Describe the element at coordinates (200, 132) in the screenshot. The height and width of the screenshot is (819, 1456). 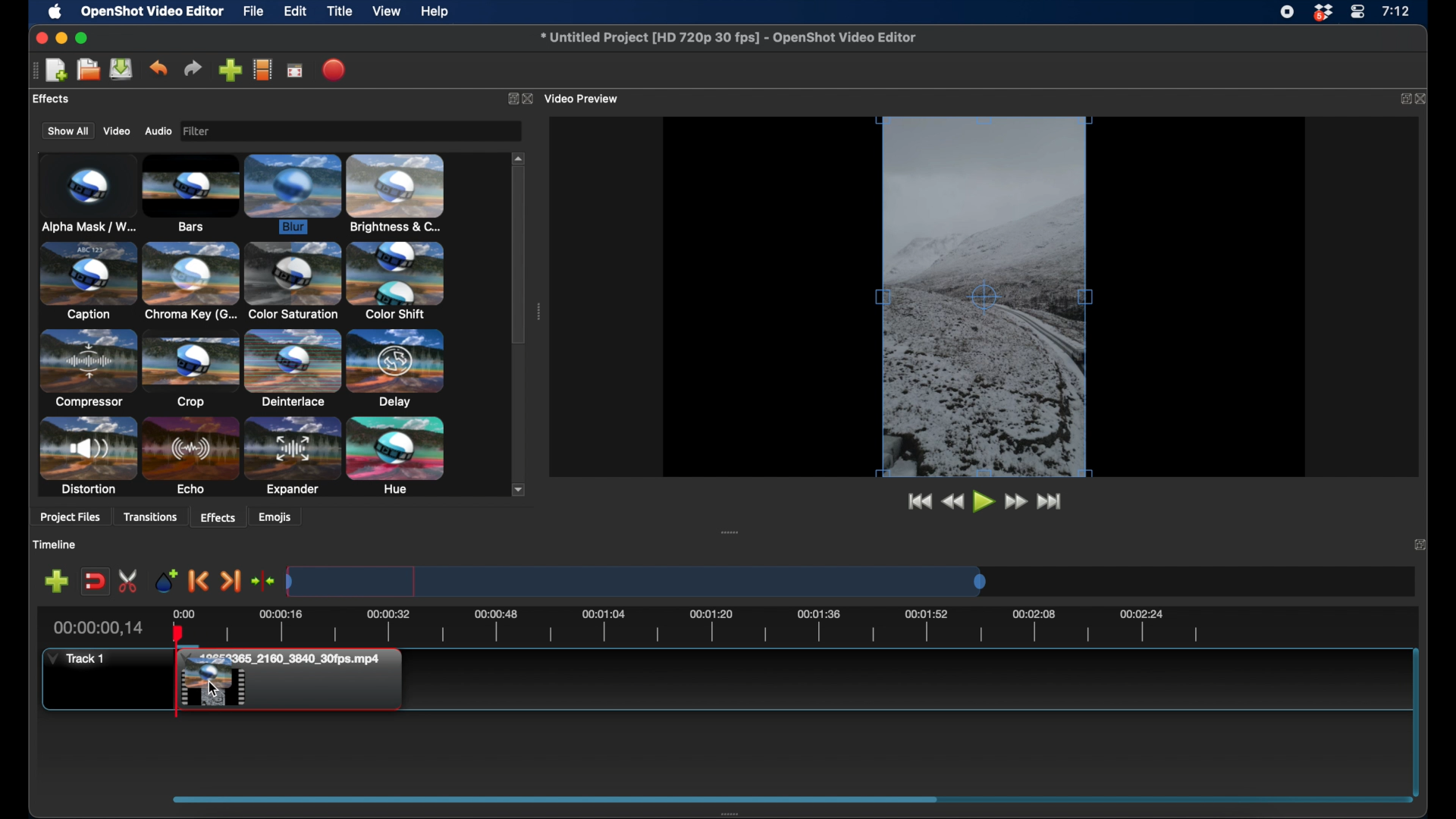
I see `image` at that location.